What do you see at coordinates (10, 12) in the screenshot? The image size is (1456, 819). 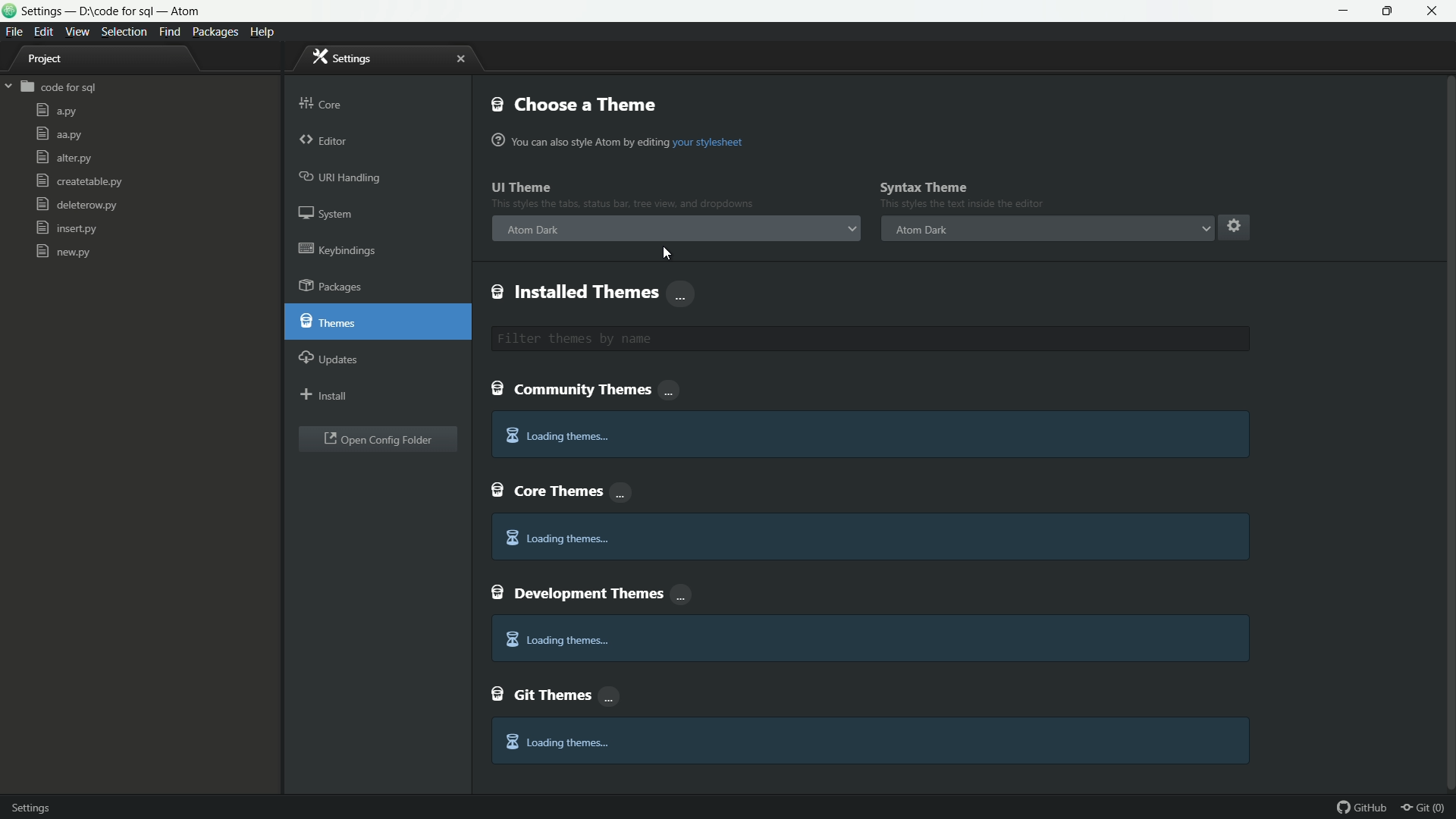 I see `logo` at bounding box center [10, 12].